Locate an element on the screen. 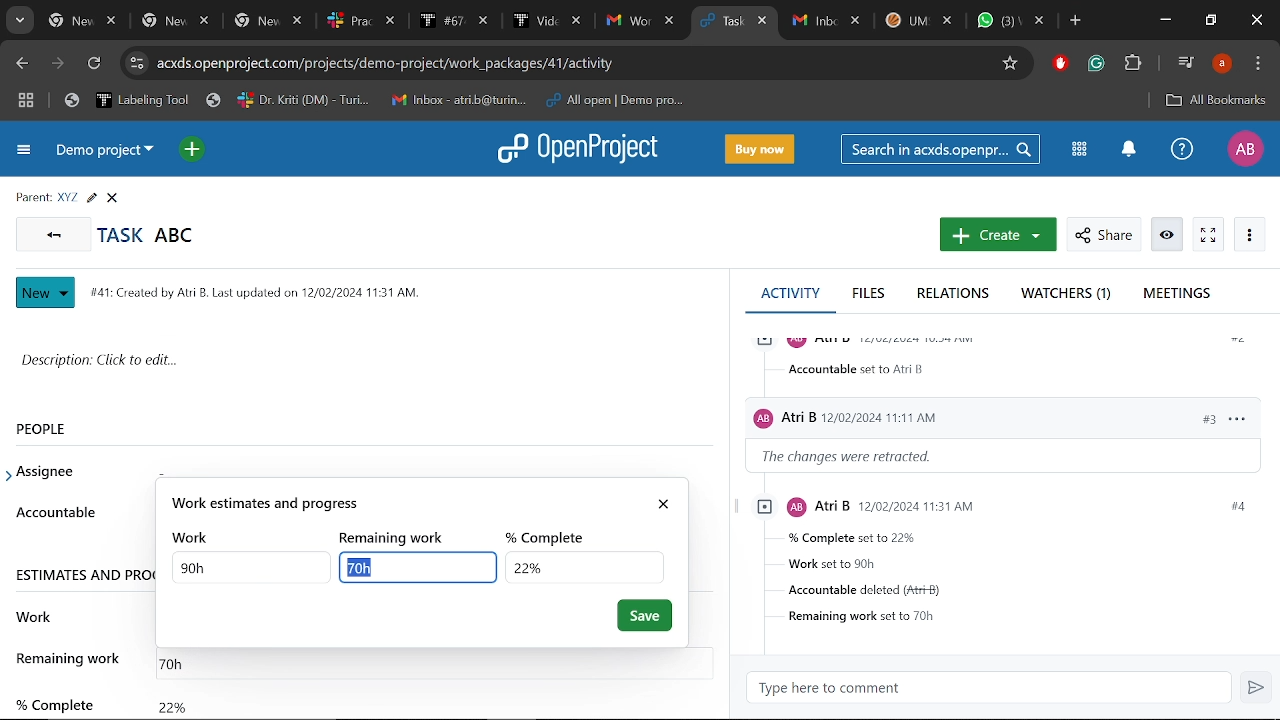  #3 is located at coordinates (1198, 418).